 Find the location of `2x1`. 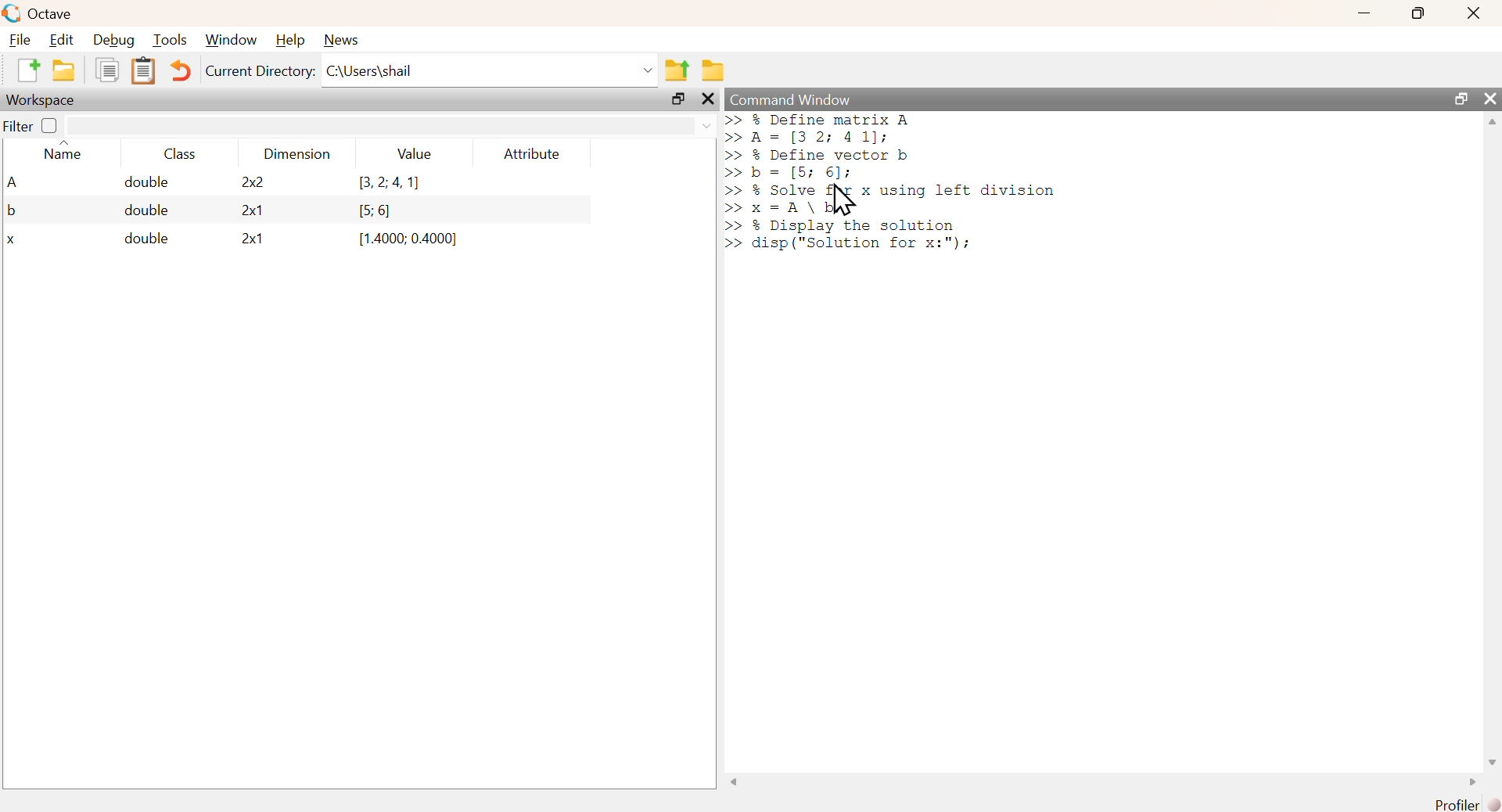

2x1 is located at coordinates (246, 241).